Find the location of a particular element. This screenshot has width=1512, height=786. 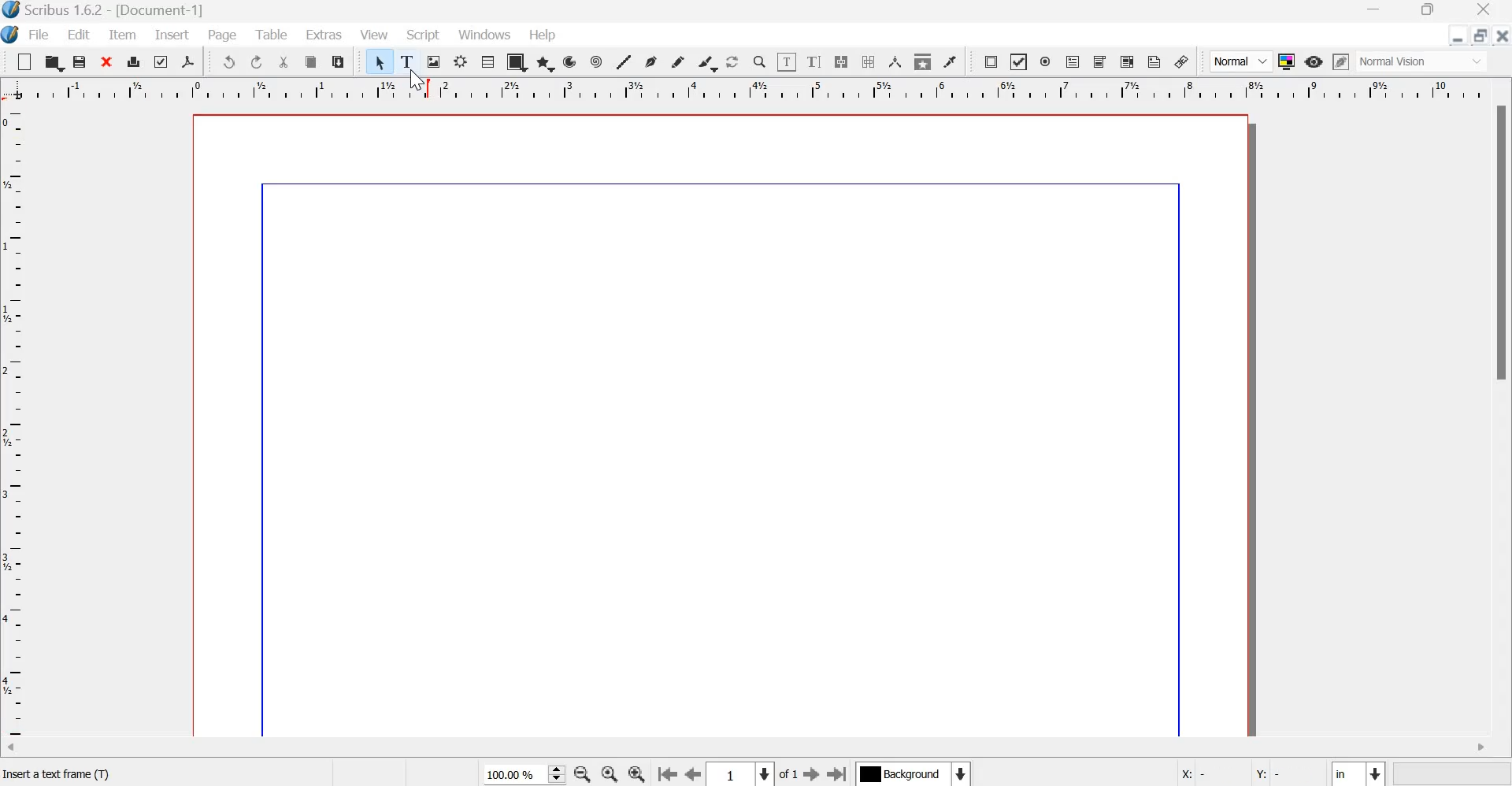

Select the current layer is located at coordinates (912, 773).